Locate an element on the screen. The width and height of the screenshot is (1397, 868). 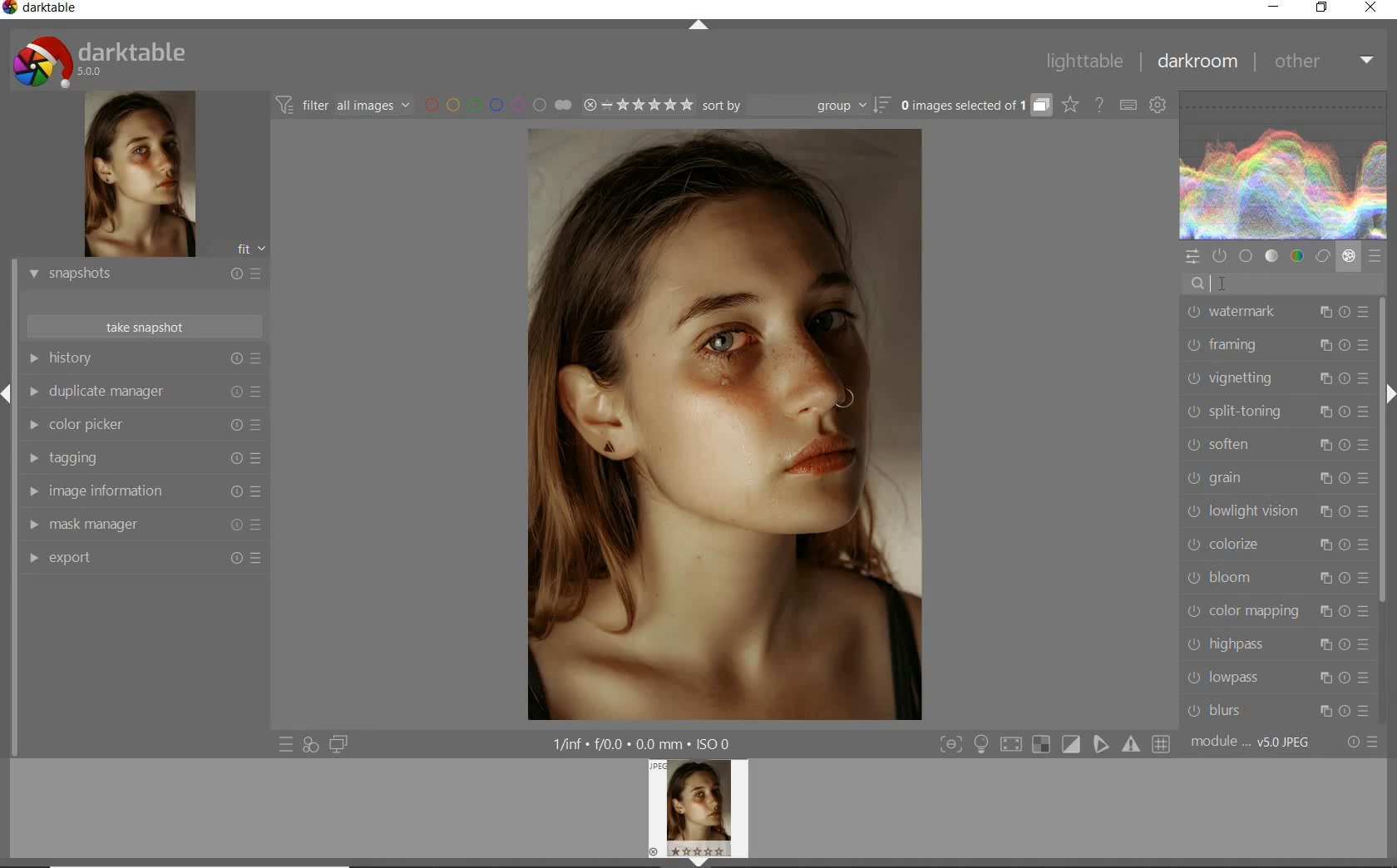
bloom is located at coordinates (1276, 578).